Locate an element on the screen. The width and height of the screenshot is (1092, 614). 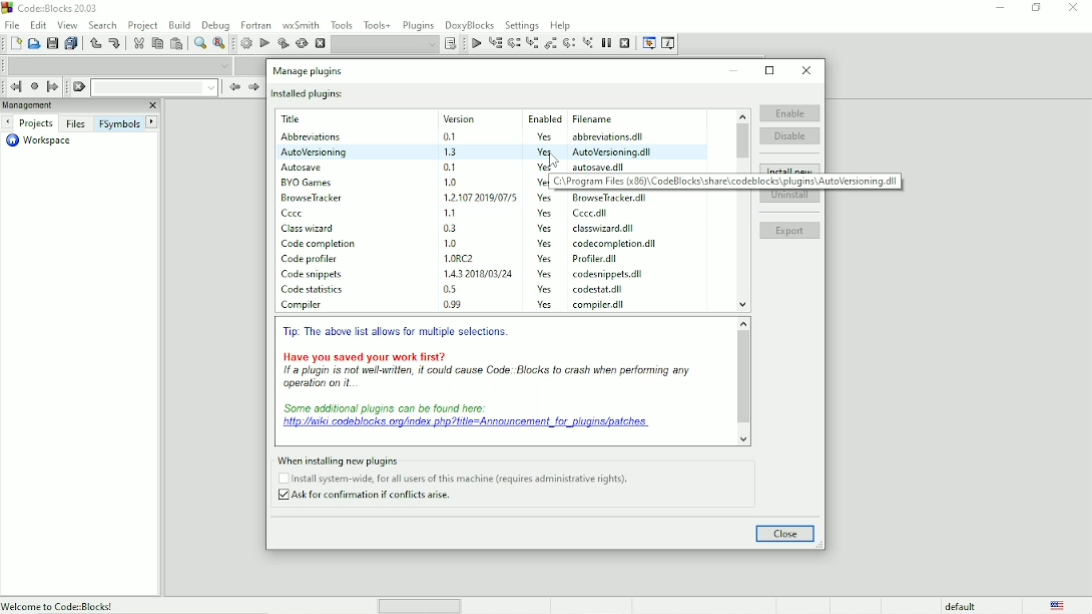
Step out is located at coordinates (551, 44).